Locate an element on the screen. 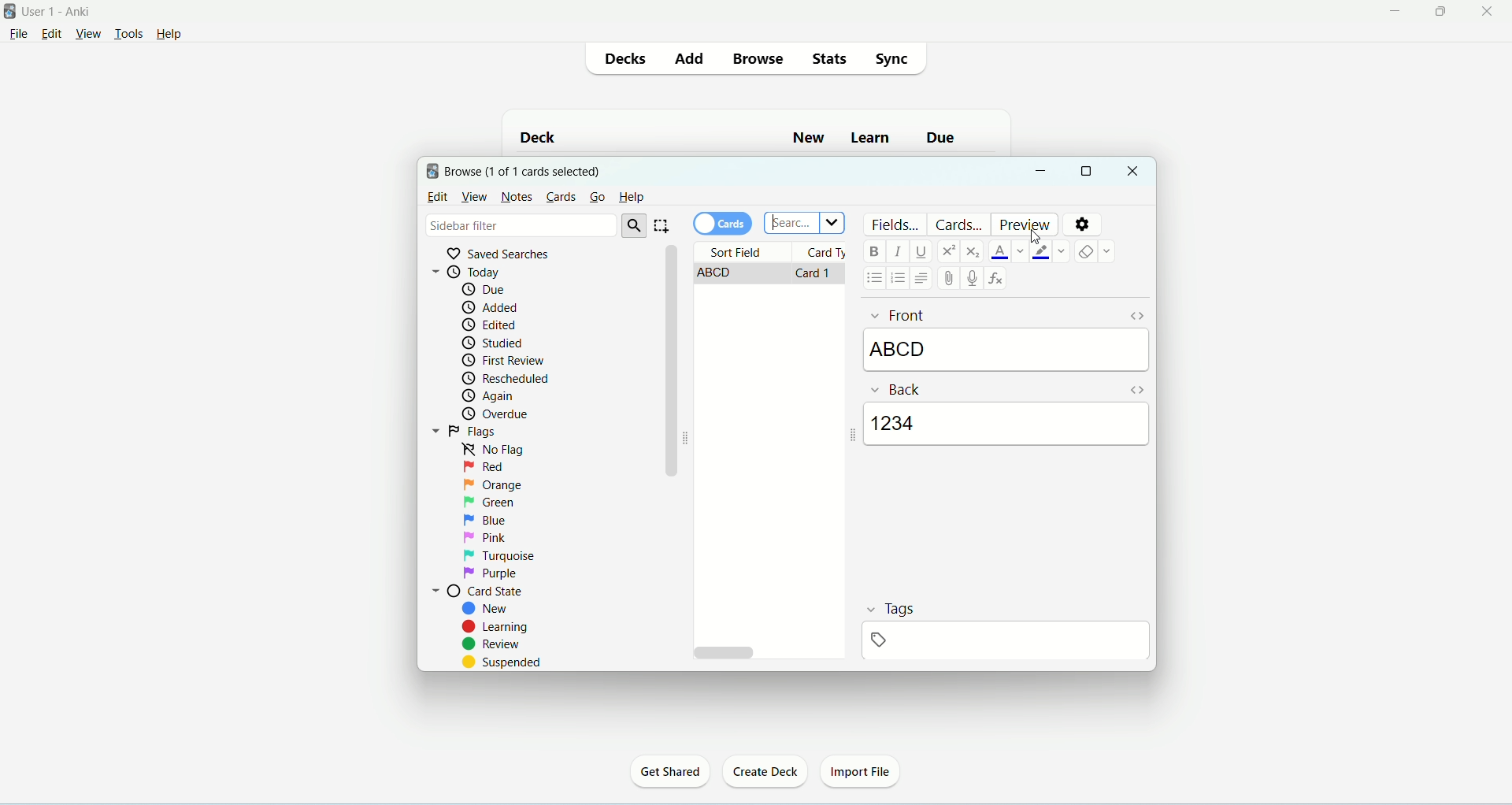 The image size is (1512, 805). again is located at coordinates (489, 397).